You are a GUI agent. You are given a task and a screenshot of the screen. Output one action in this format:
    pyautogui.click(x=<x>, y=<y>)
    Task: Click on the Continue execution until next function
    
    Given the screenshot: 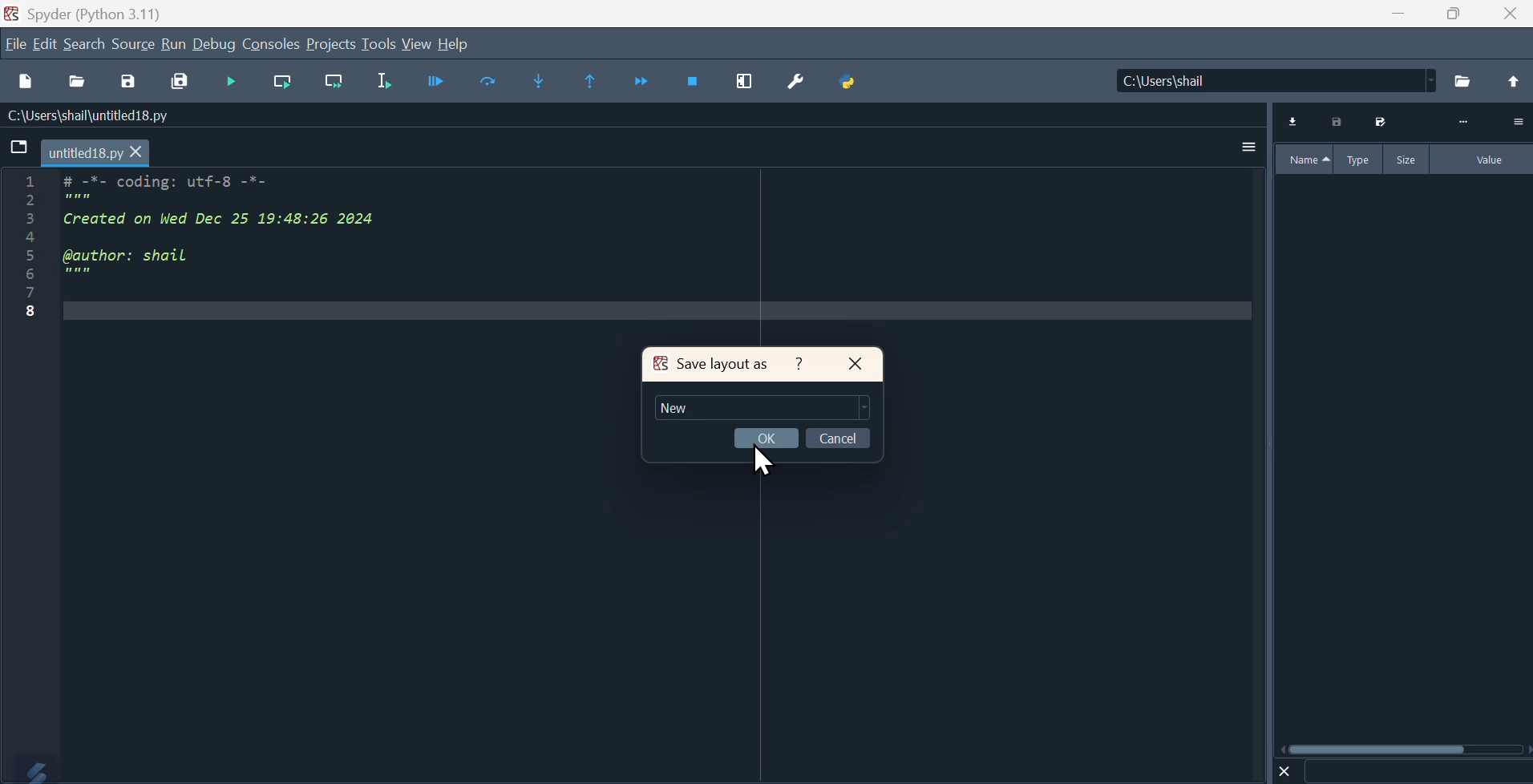 What is the action you would take?
    pyautogui.click(x=643, y=83)
    